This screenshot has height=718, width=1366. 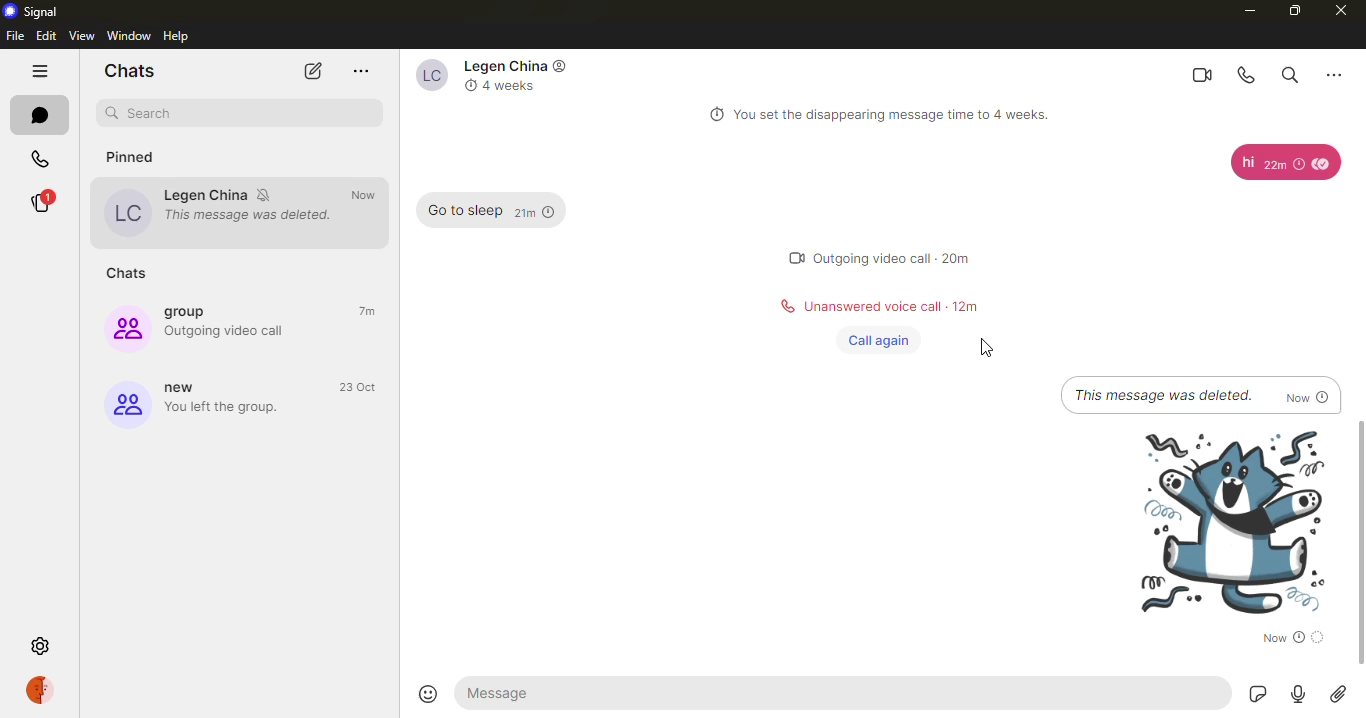 I want to click on chats, so click(x=132, y=275).